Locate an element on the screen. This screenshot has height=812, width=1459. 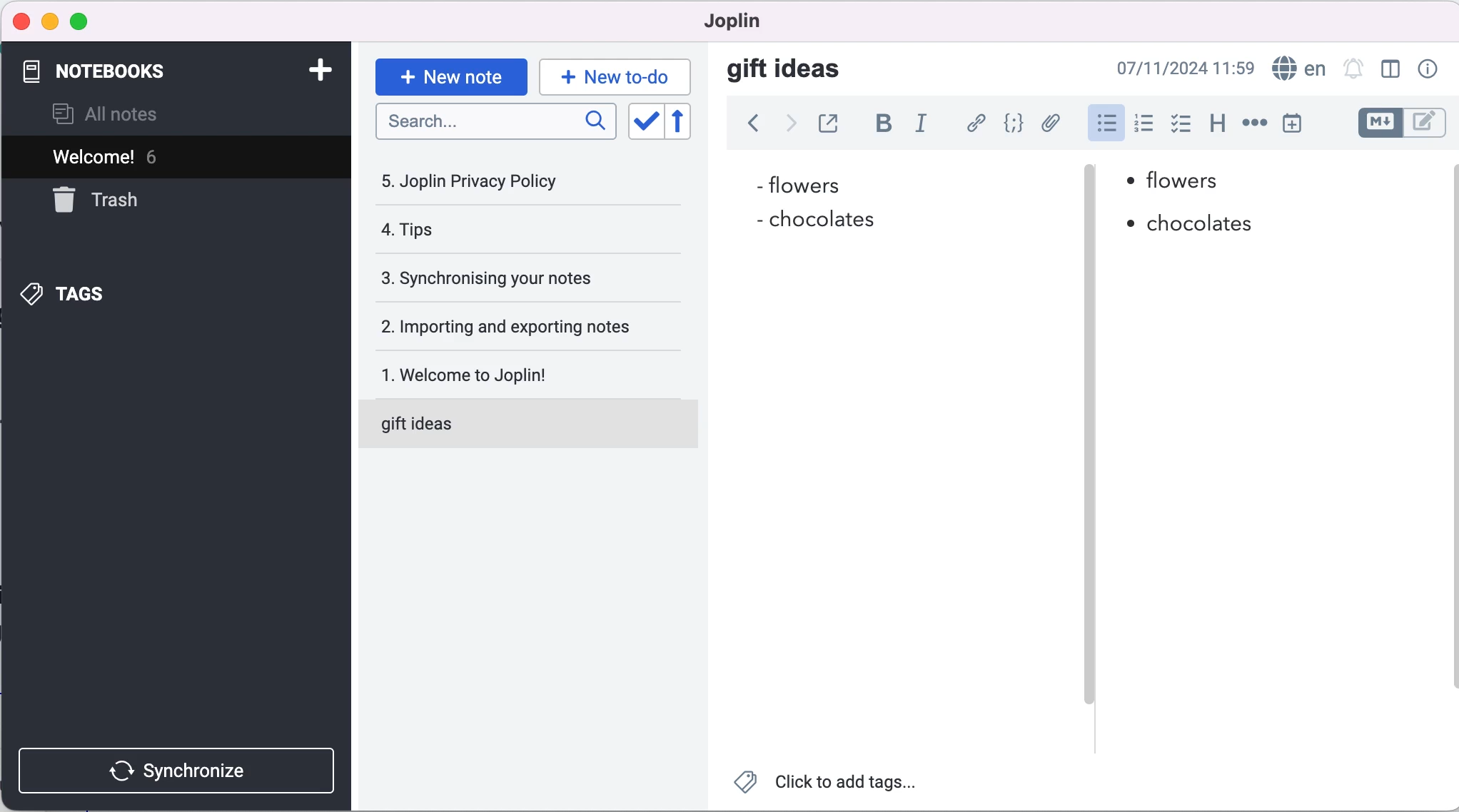
new note is located at coordinates (450, 73).